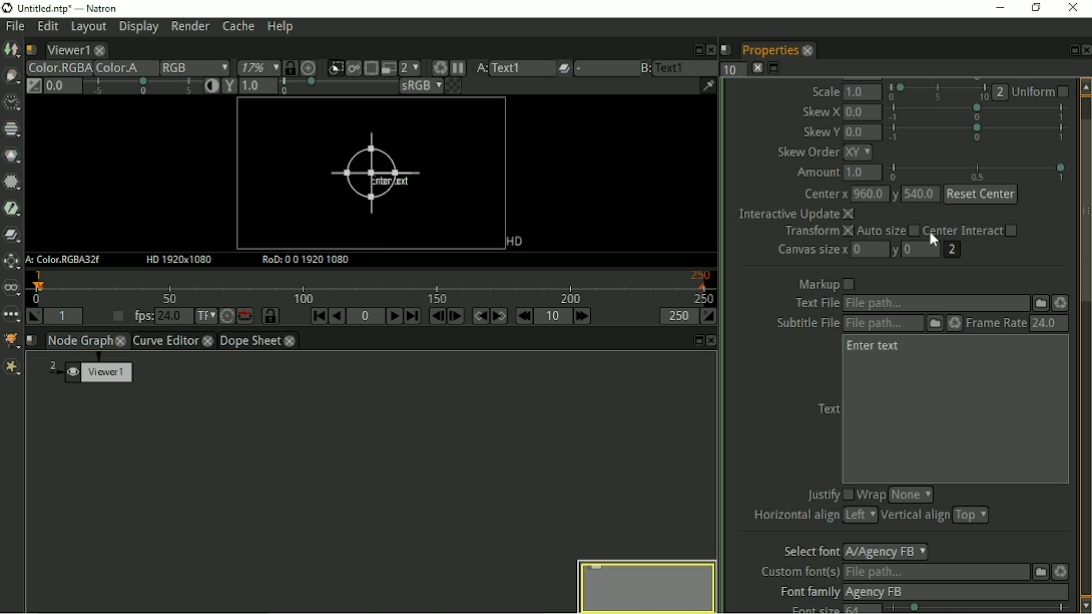  What do you see at coordinates (282, 27) in the screenshot?
I see `Help` at bounding box center [282, 27].